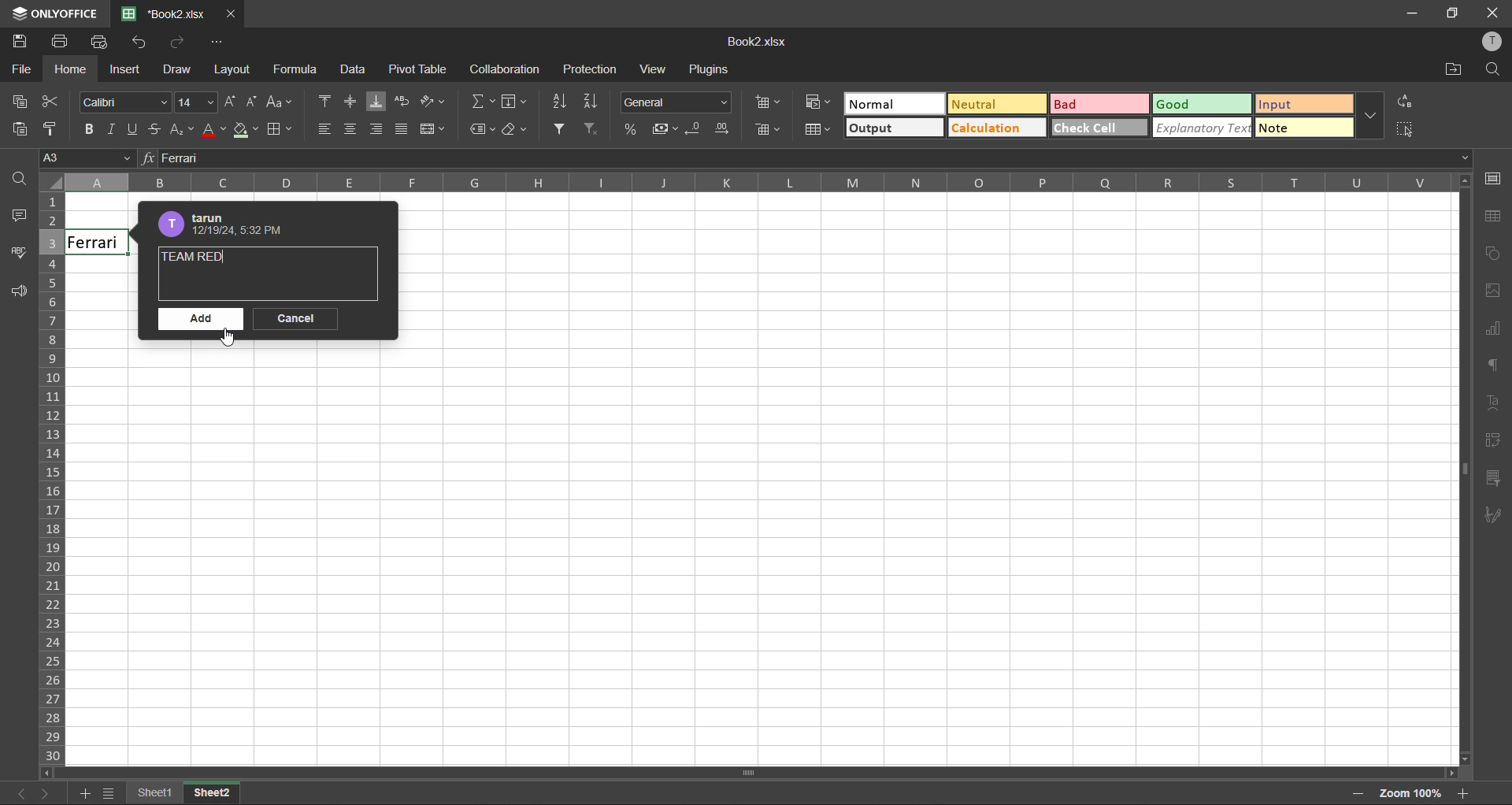  What do you see at coordinates (560, 102) in the screenshot?
I see `sort ascending` at bounding box center [560, 102].